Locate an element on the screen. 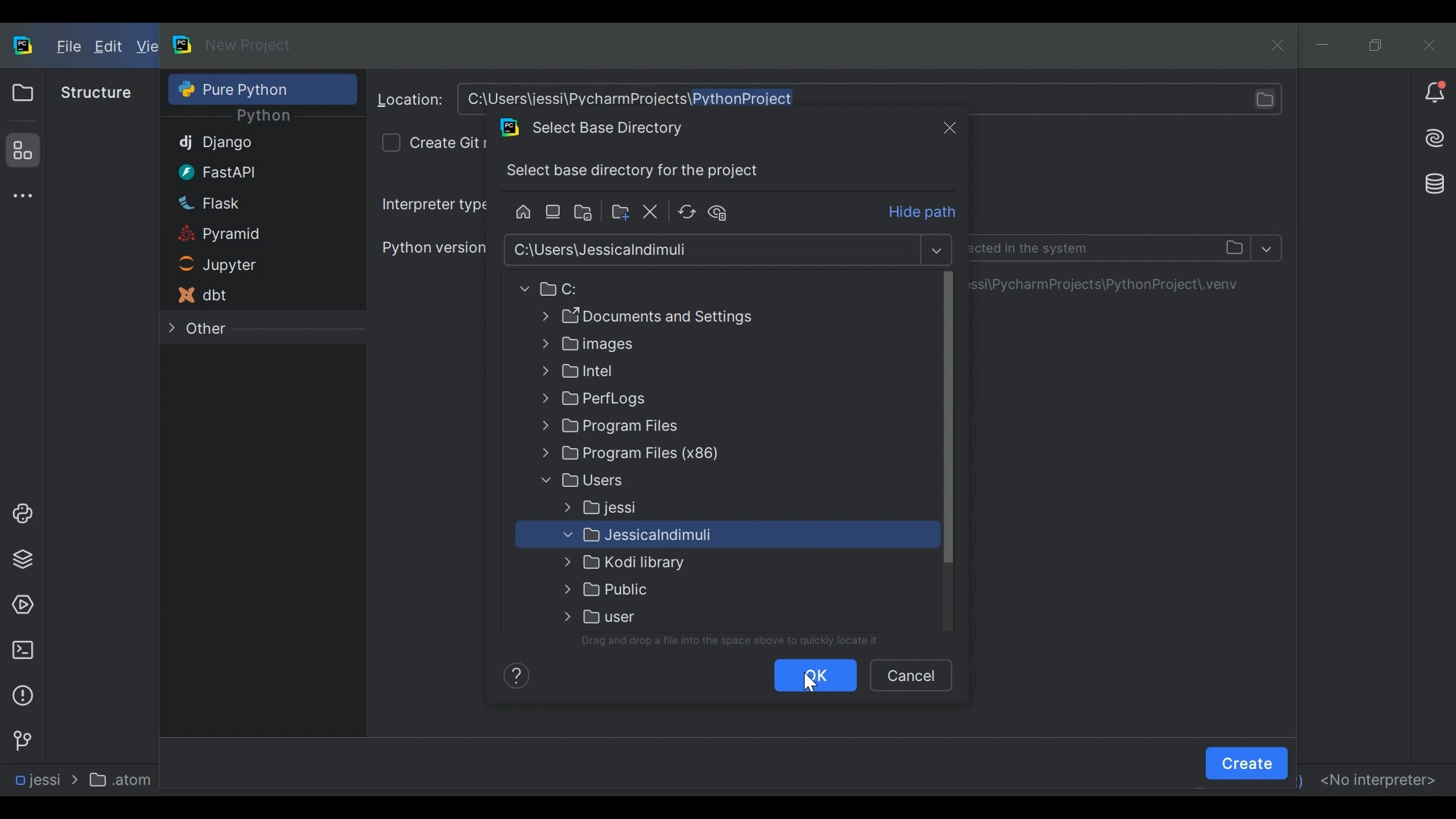  Database is located at coordinates (1431, 182).